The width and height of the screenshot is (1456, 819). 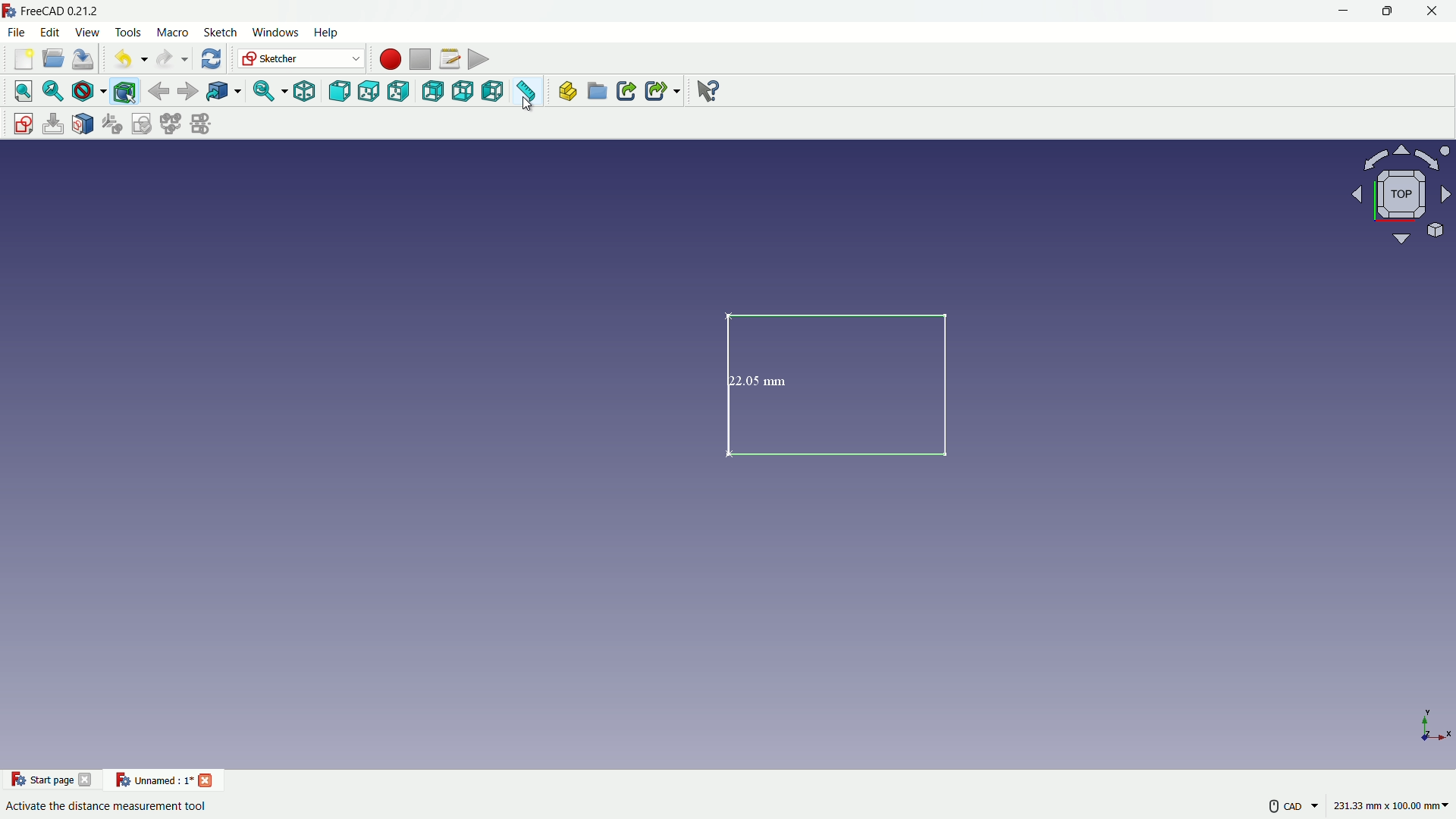 What do you see at coordinates (200, 125) in the screenshot?
I see `mirror sketches` at bounding box center [200, 125].